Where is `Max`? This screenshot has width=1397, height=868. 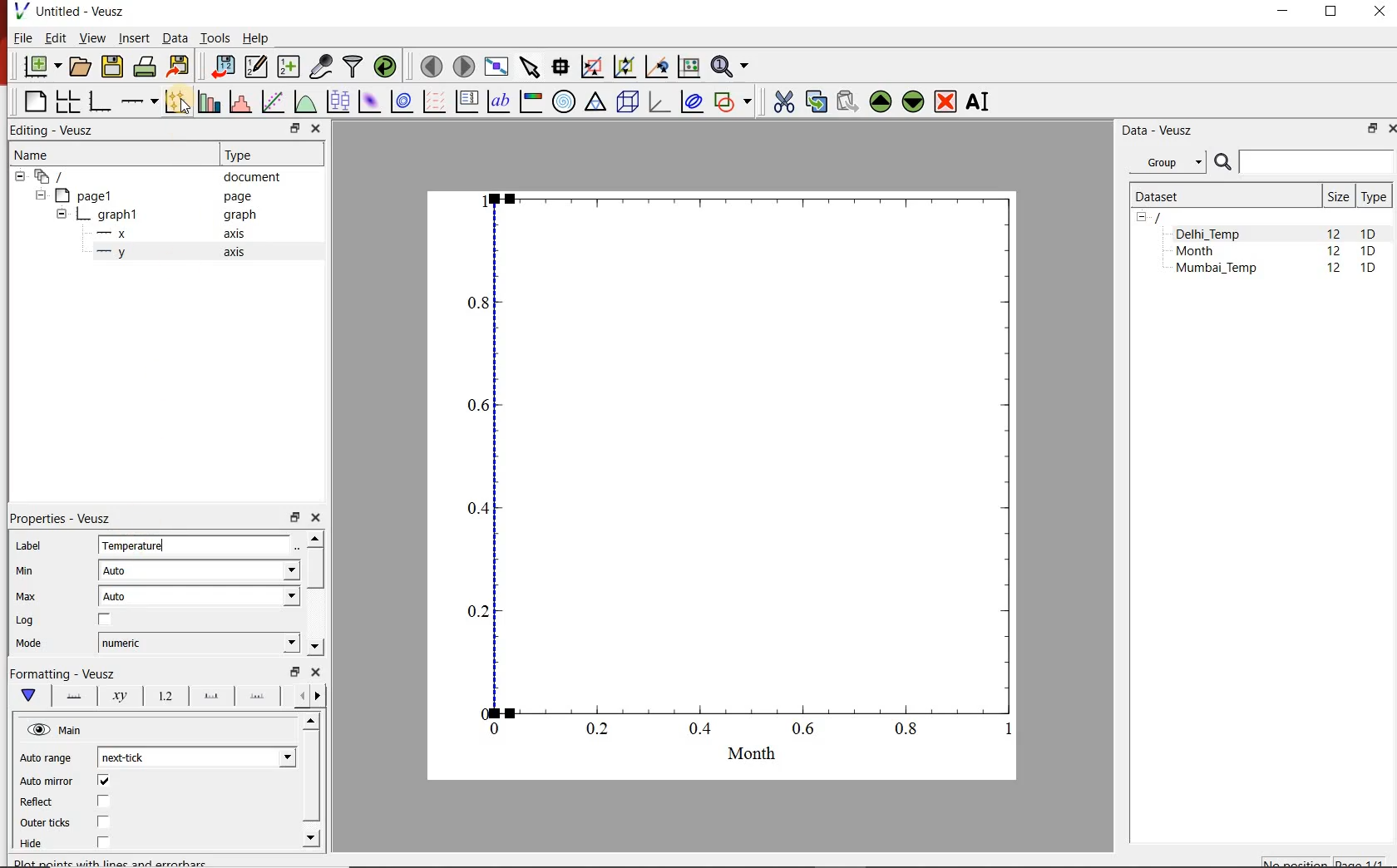
Max is located at coordinates (27, 596).